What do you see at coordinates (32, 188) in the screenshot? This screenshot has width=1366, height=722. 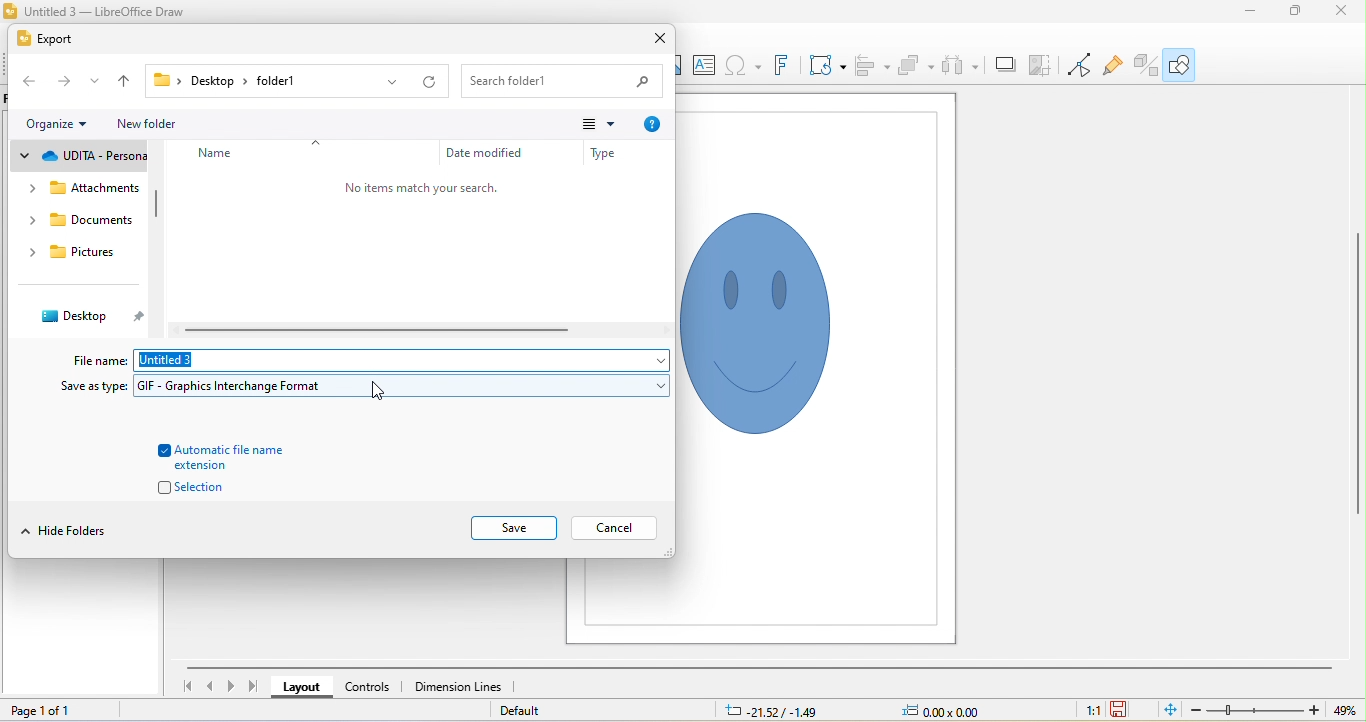 I see `drop down` at bounding box center [32, 188].